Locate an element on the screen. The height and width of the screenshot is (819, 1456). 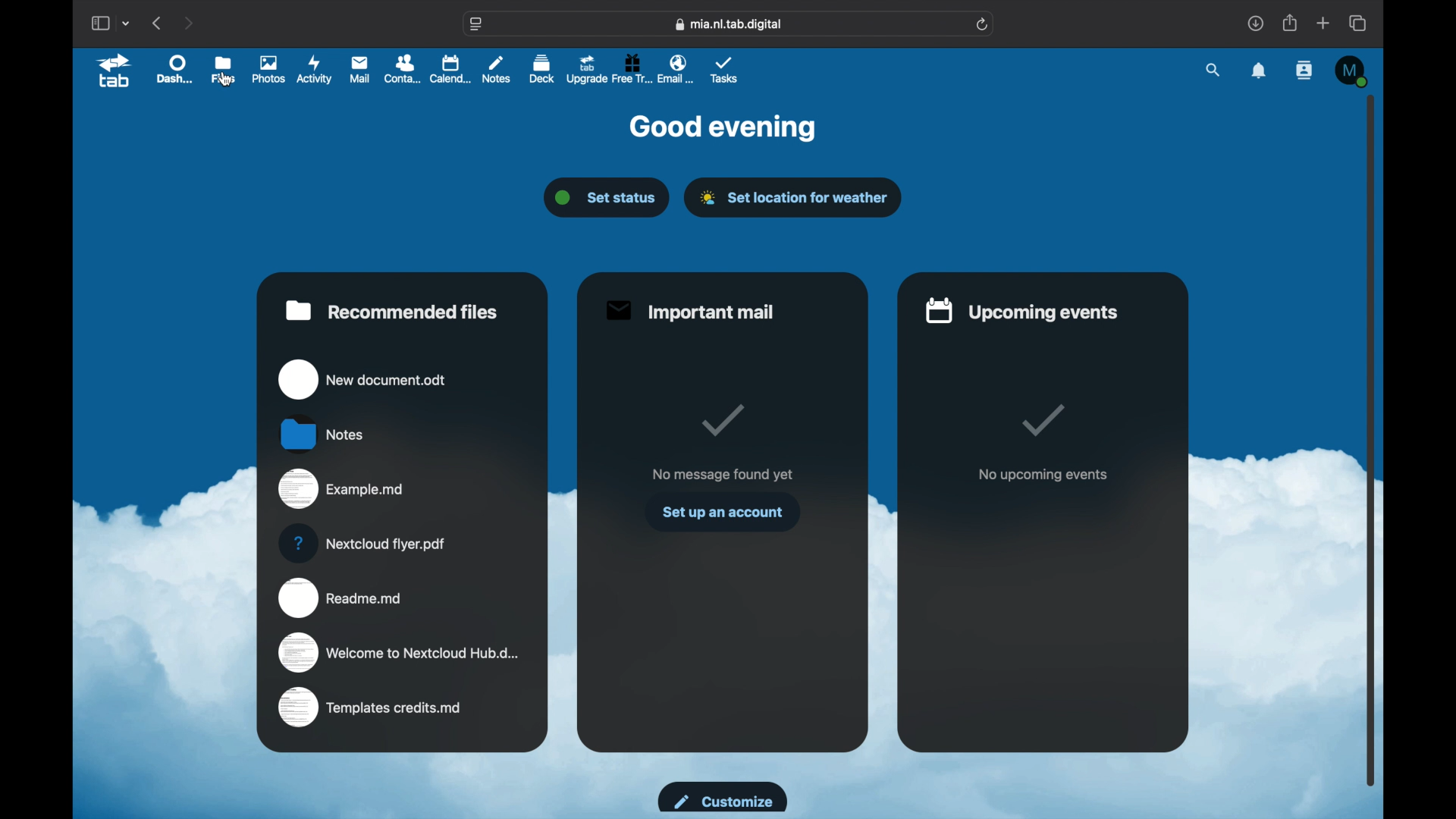
nextcloud is located at coordinates (360, 543).